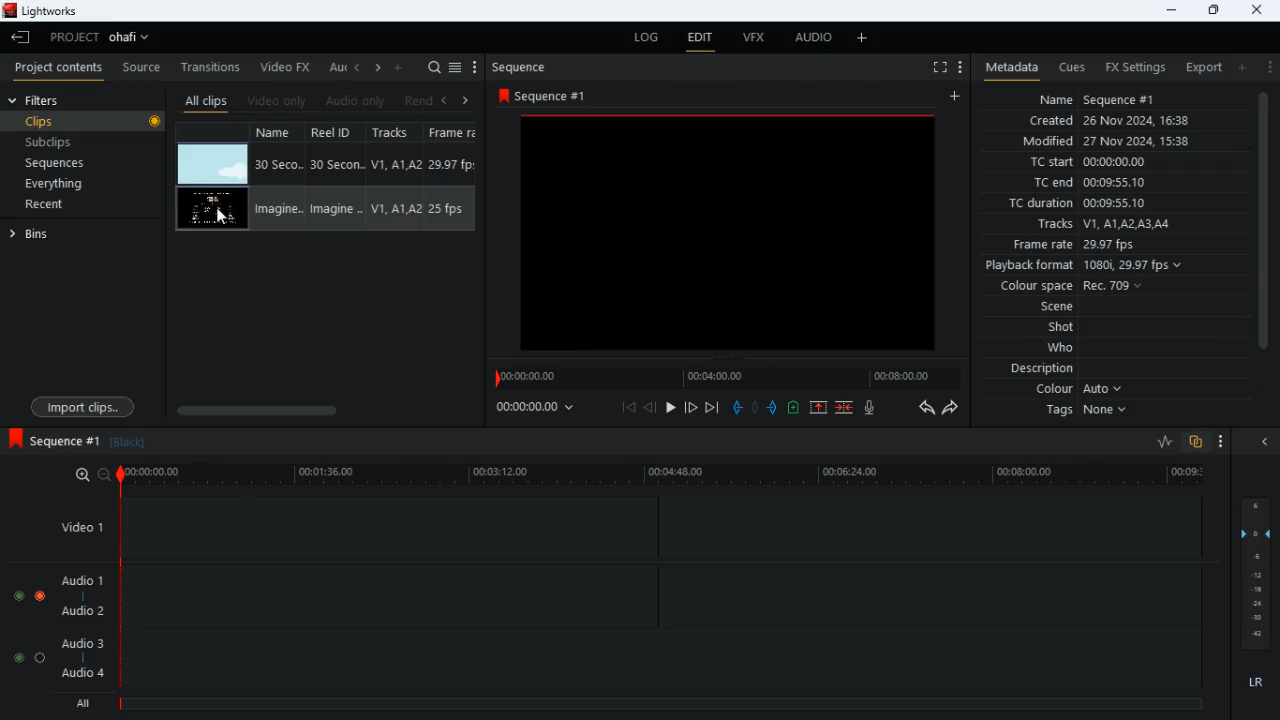 This screenshot has height=720, width=1280. What do you see at coordinates (85, 474) in the screenshot?
I see `zoom` at bounding box center [85, 474].